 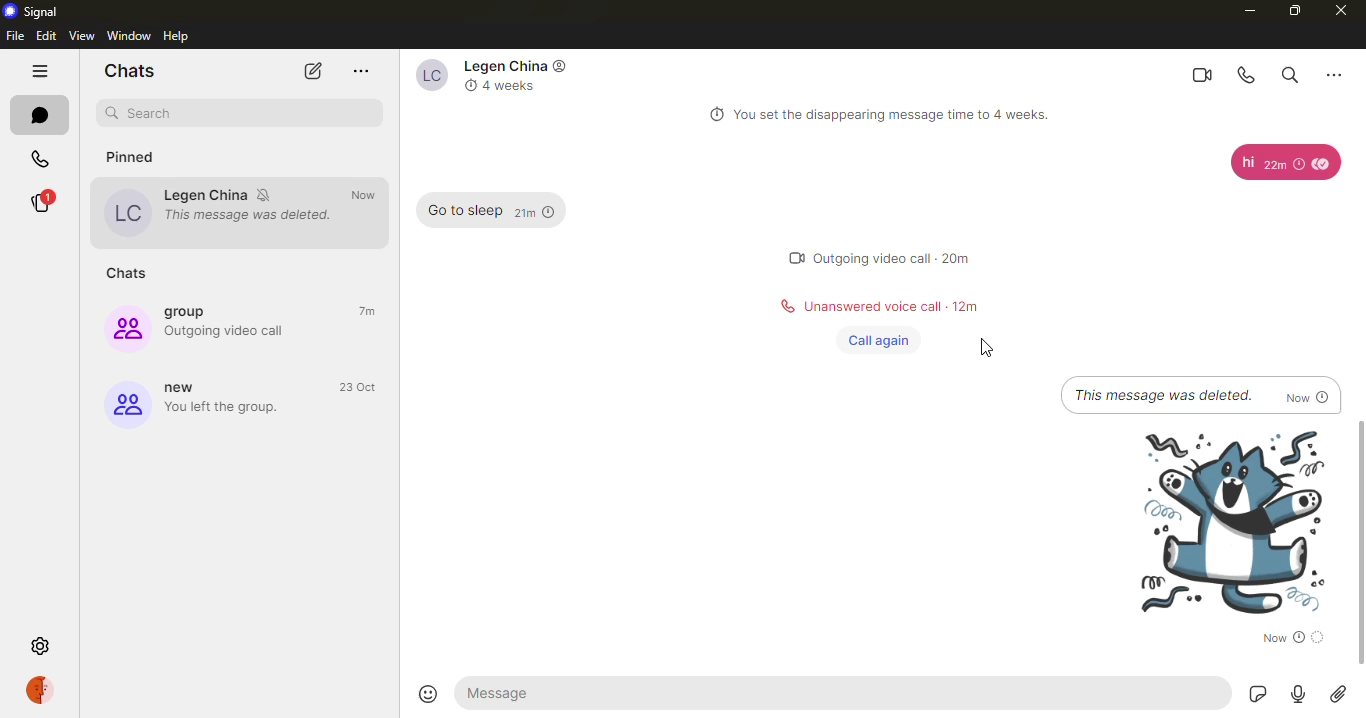 What do you see at coordinates (125, 213) in the screenshot?
I see `Legen china profile` at bounding box center [125, 213].